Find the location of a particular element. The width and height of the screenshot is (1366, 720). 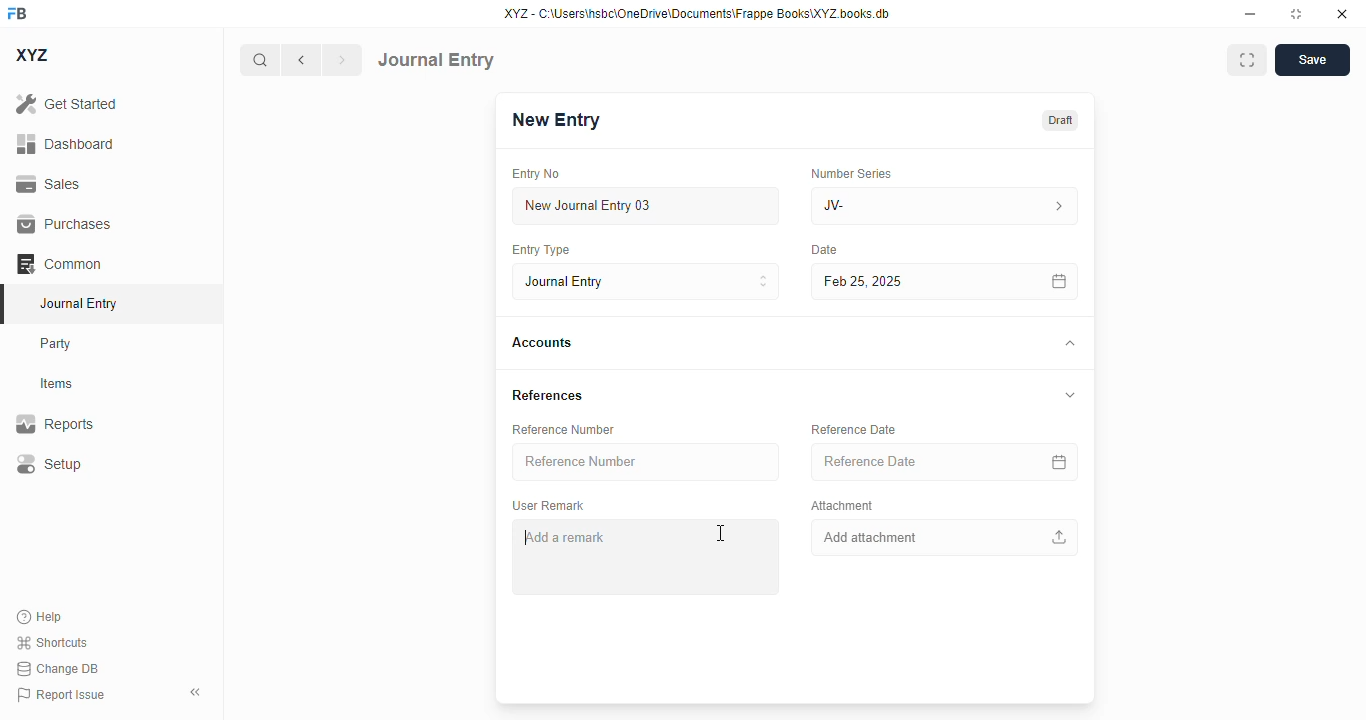

references is located at coordinates (548, 394).